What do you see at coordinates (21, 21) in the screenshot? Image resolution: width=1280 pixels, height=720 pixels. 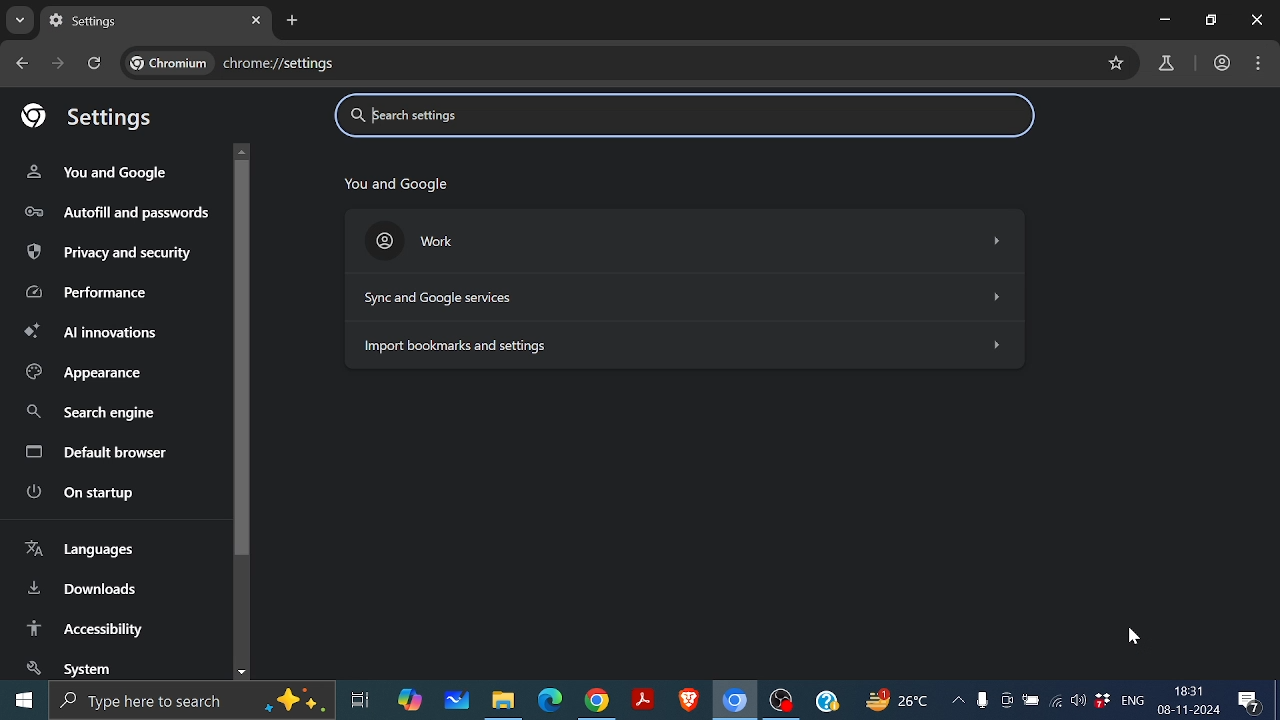 I see `Search tabs` at bounding box center [21, 21].